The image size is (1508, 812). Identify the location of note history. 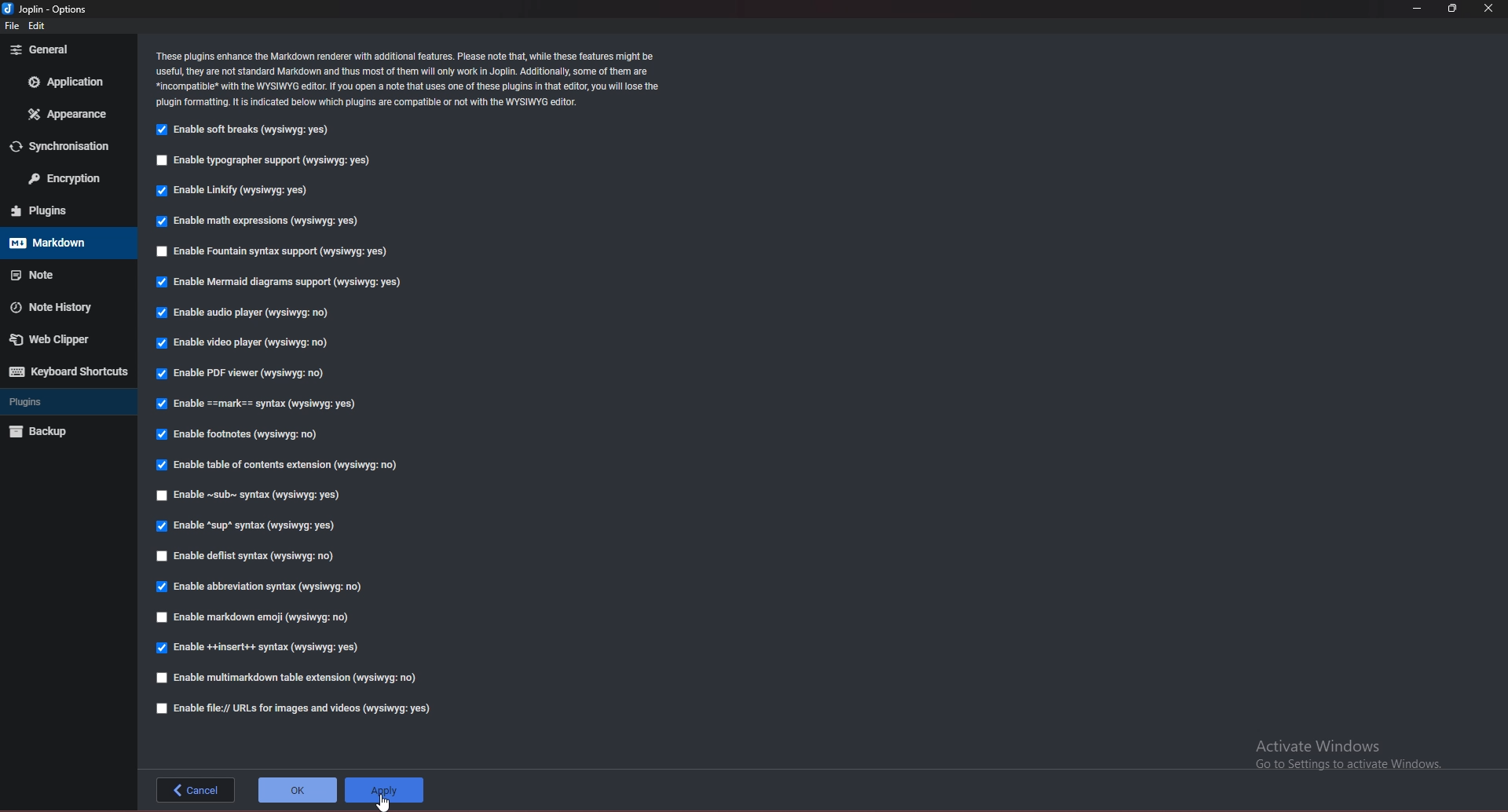
(62, 307).